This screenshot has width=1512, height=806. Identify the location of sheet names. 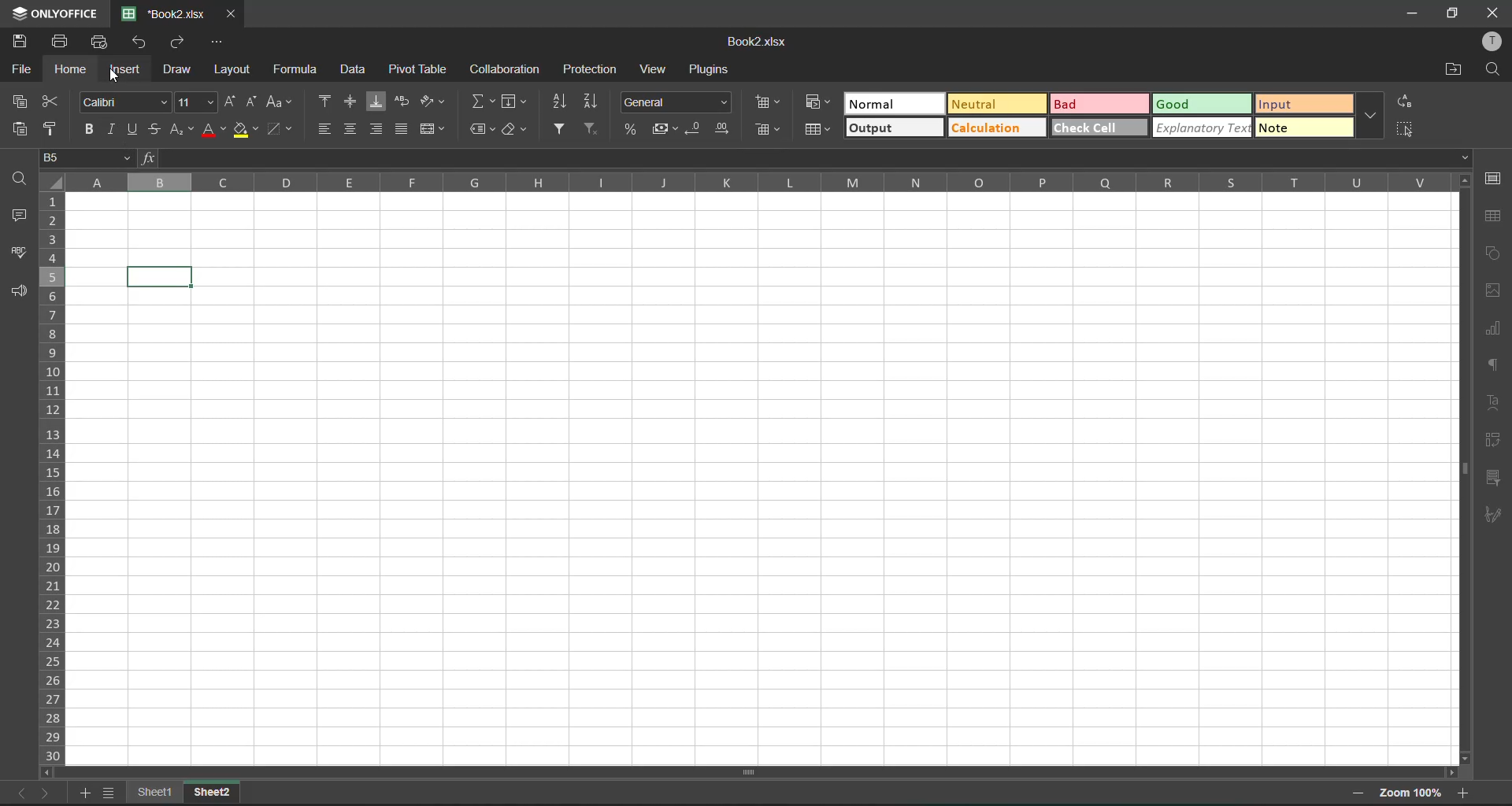
(160, 791).